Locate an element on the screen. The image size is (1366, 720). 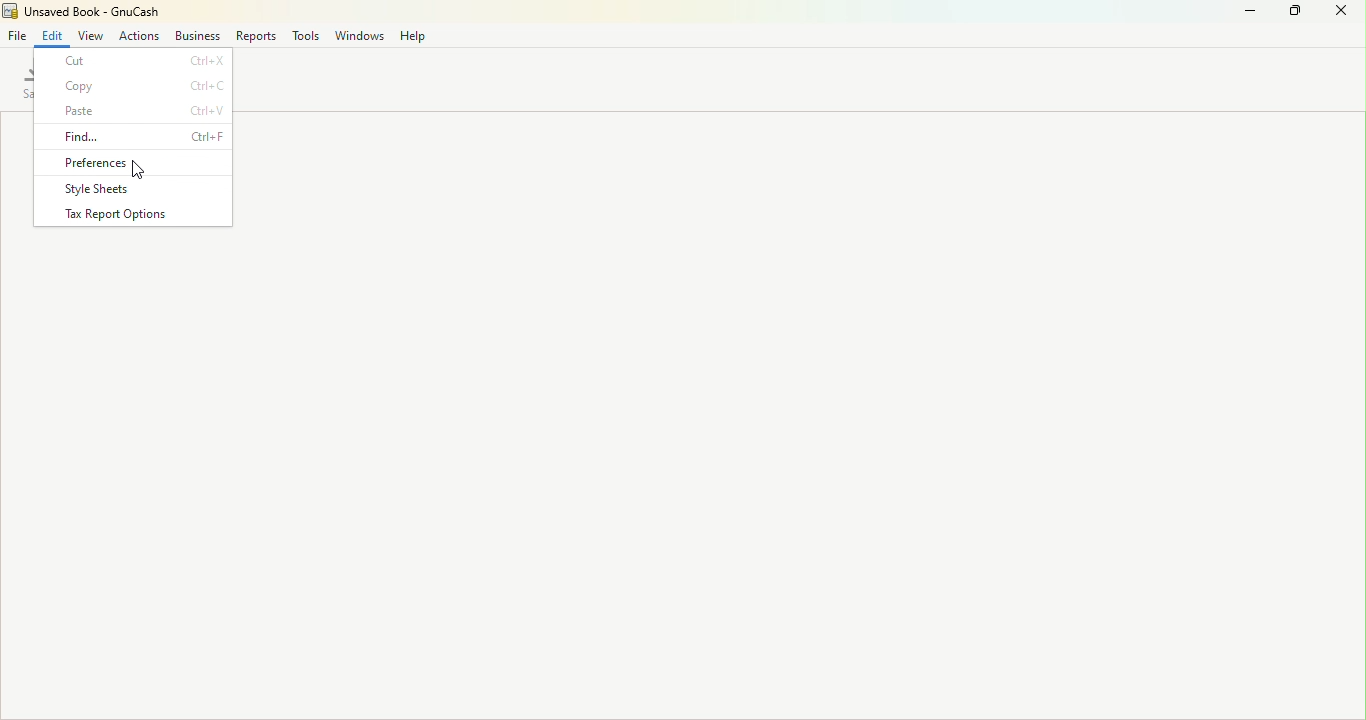
Business is located at coordinates (198, 36).